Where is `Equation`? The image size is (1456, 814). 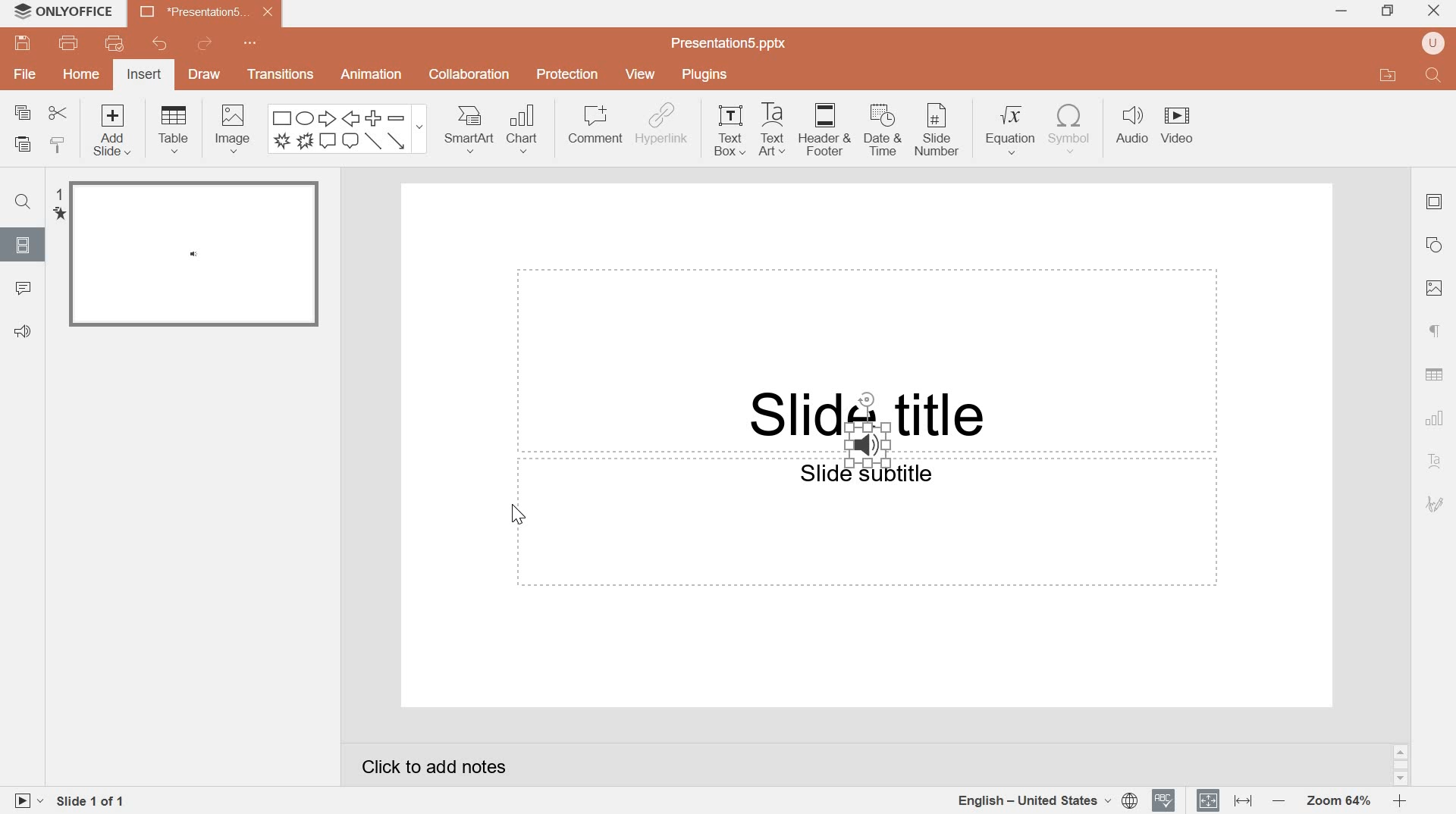 Equation is located at coordinates (1012, 129).